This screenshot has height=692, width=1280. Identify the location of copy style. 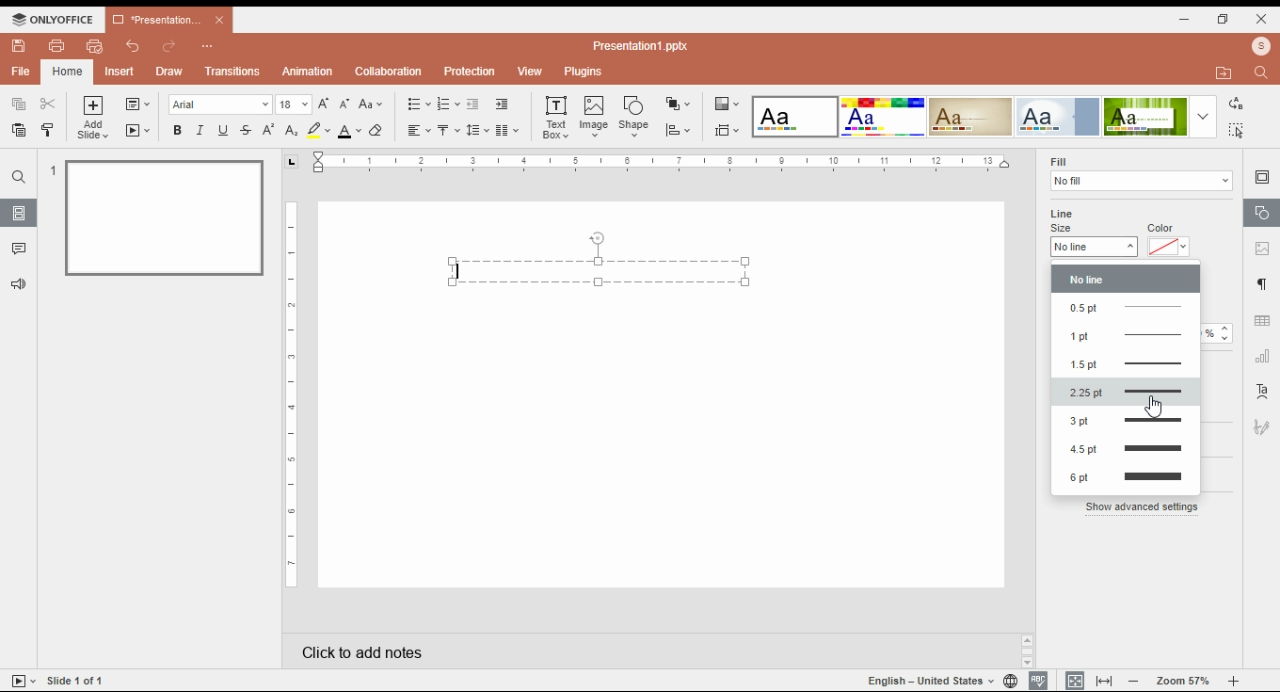
(47, 129).